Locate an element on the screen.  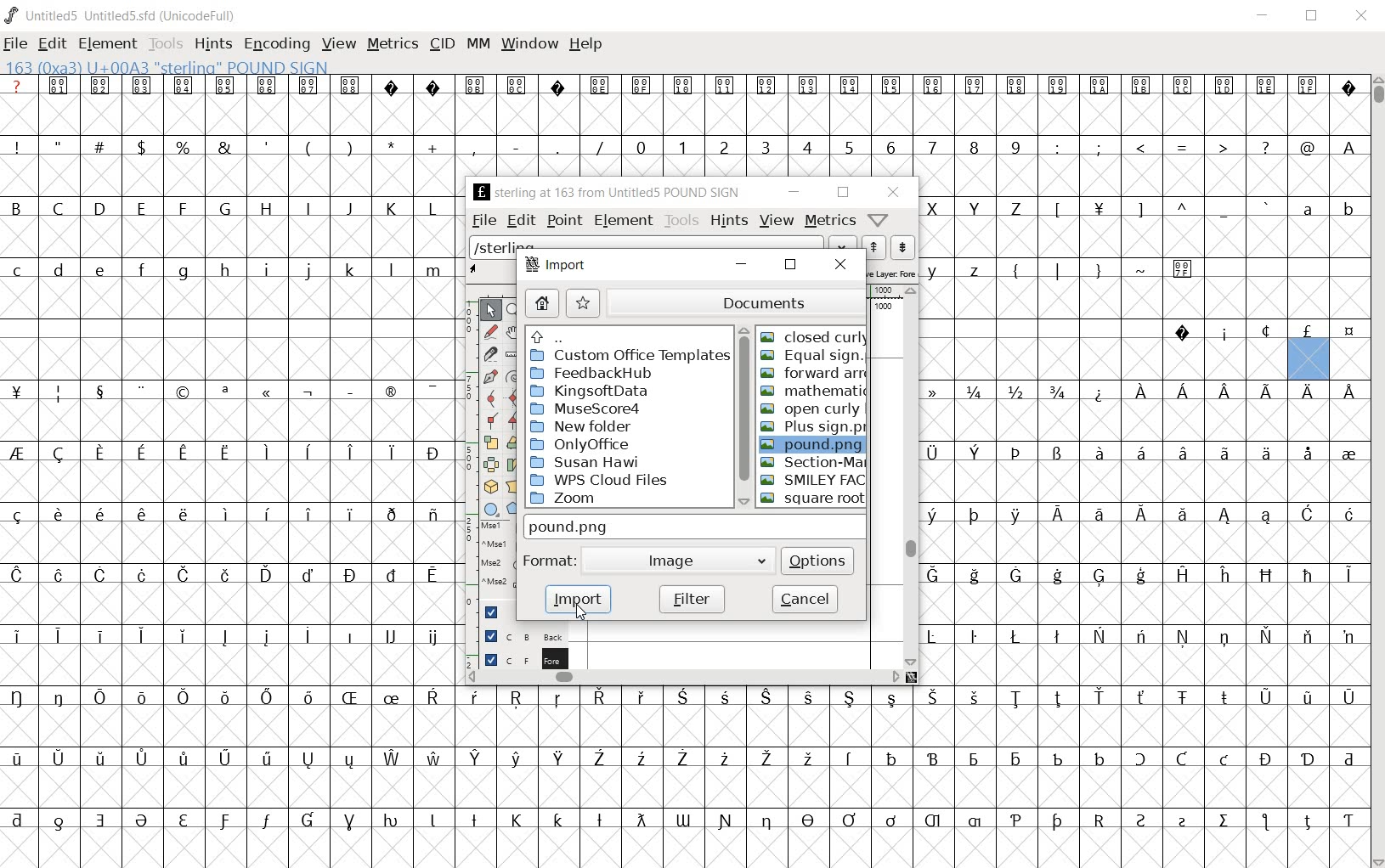
VIEW is located at coordinates (338, 42).